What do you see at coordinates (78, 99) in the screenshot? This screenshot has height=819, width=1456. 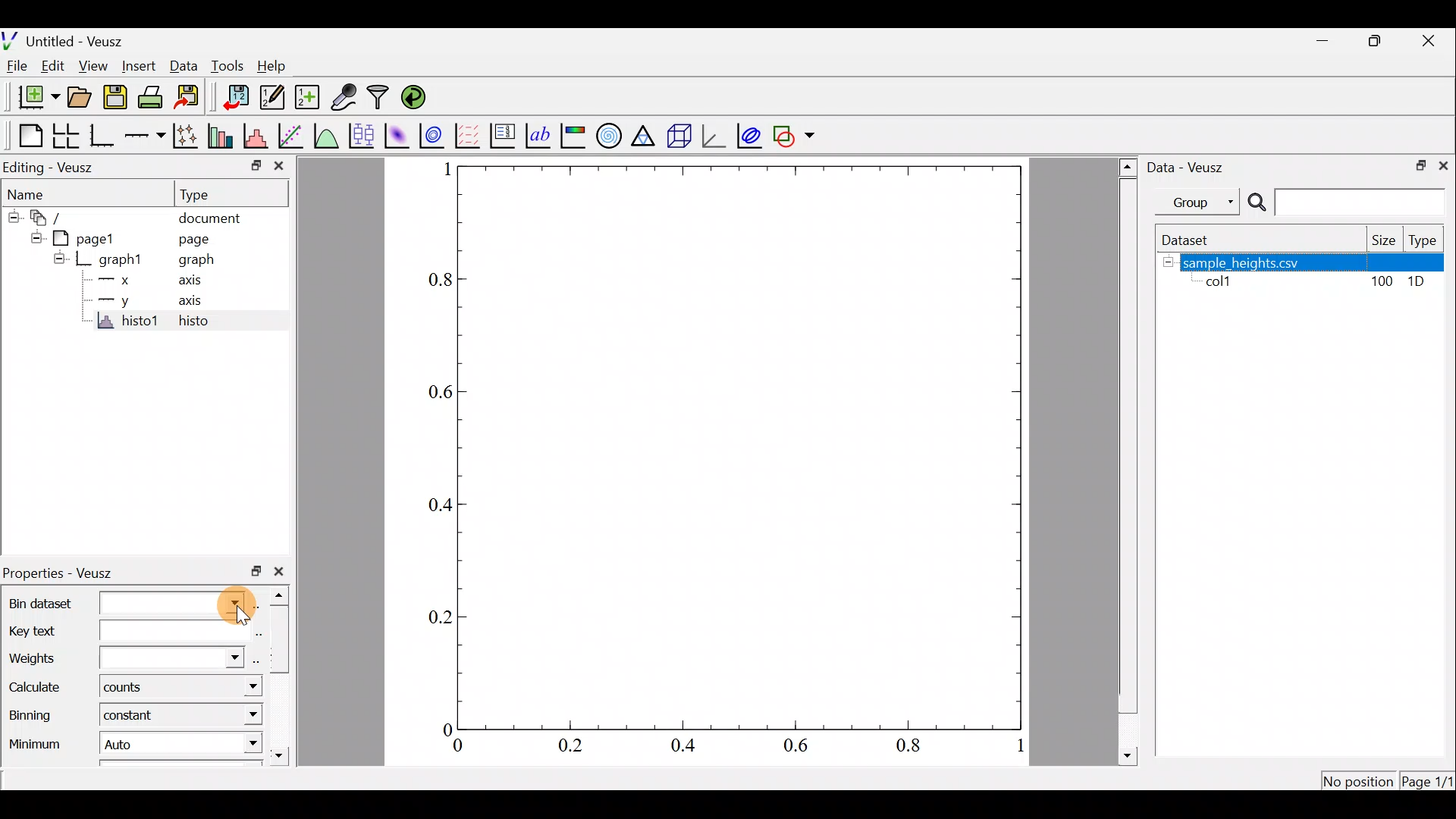 I see `open a document` at bounding box center [78, 99].